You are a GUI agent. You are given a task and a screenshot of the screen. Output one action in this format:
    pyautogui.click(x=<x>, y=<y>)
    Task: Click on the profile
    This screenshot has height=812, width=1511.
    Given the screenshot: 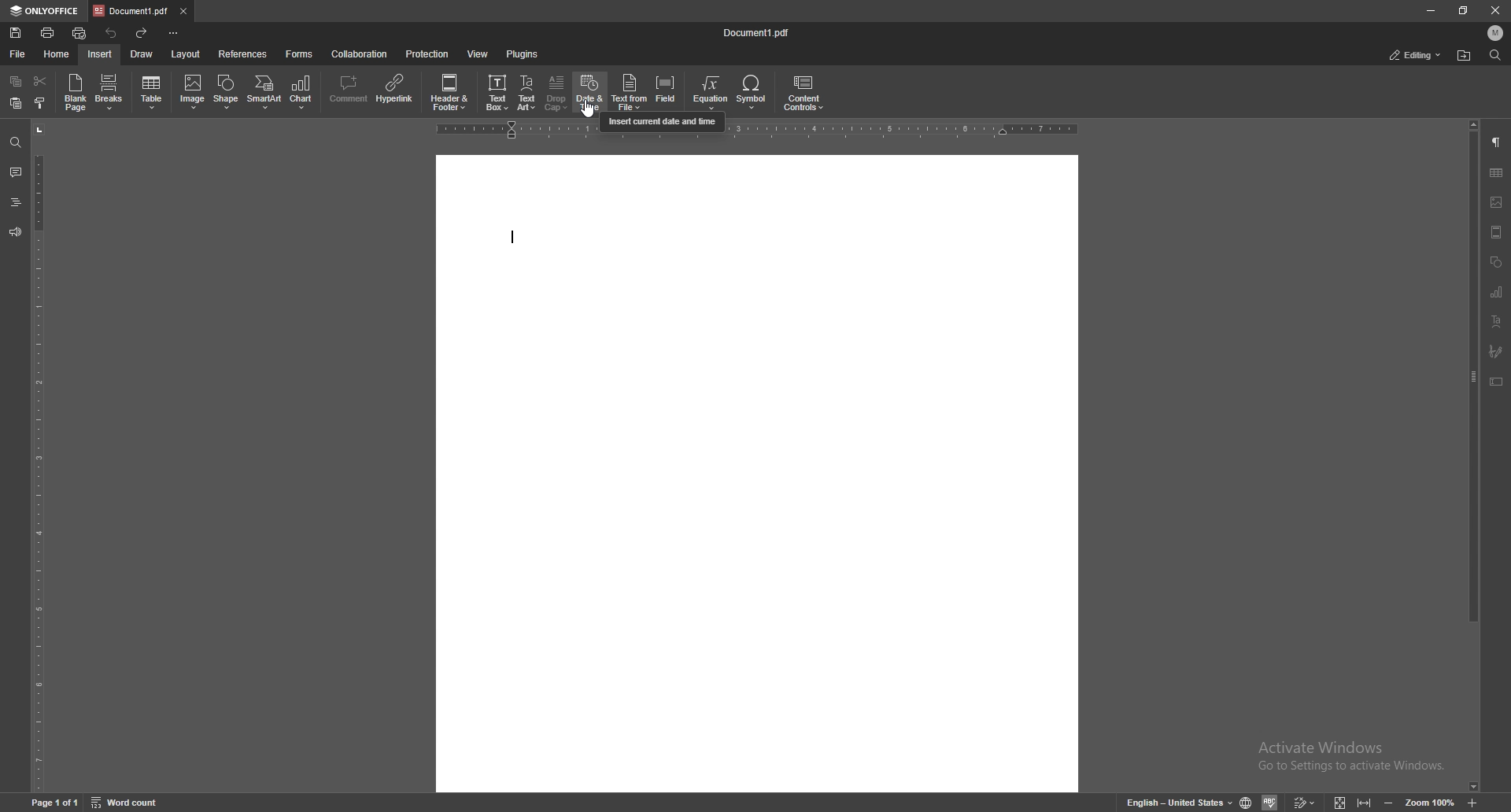 What is the action you would take?
    pyautogui.click(x=1494, y=32)
    